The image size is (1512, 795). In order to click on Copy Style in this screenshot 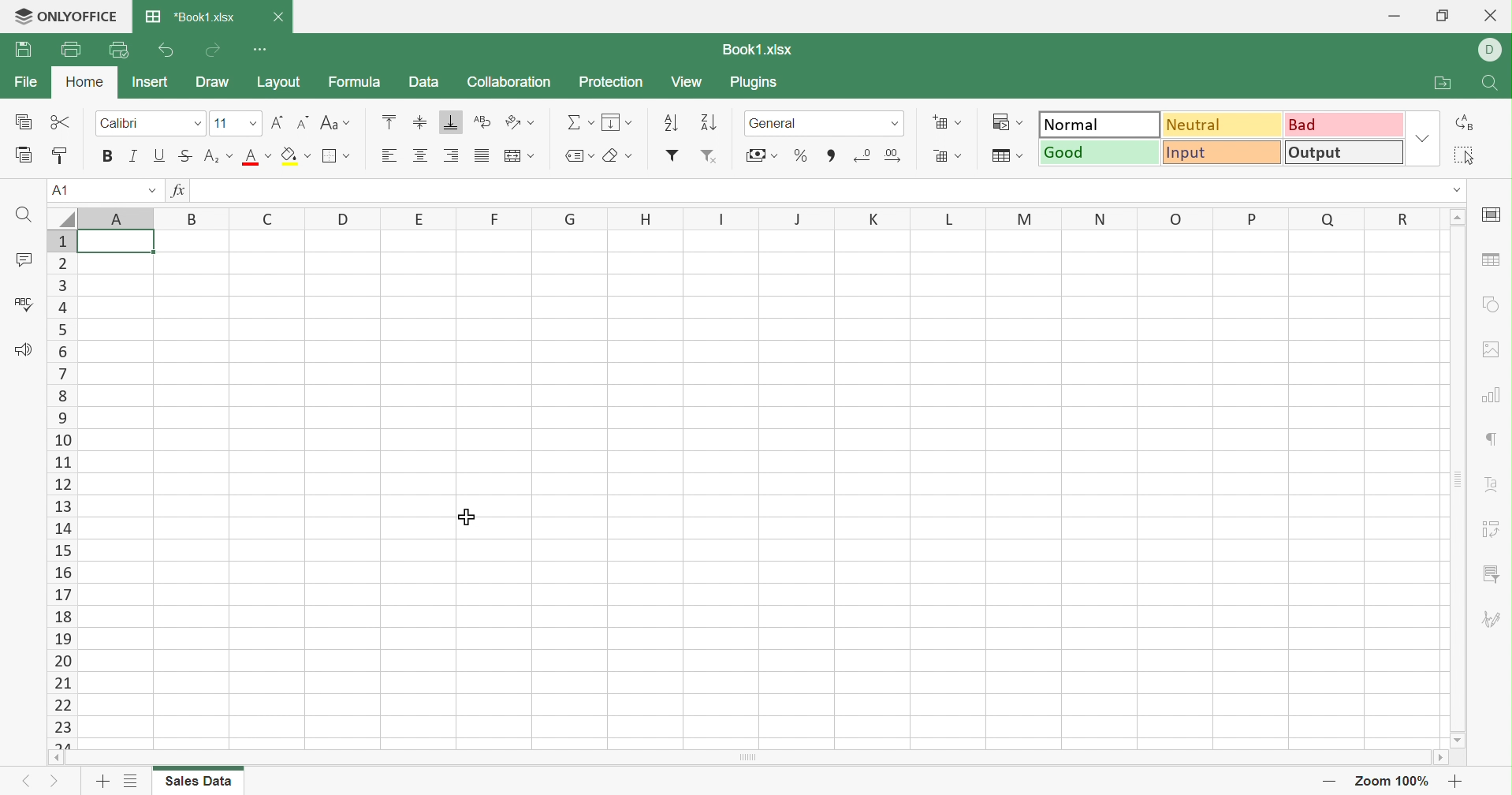, I will do `click(61, 153)`.